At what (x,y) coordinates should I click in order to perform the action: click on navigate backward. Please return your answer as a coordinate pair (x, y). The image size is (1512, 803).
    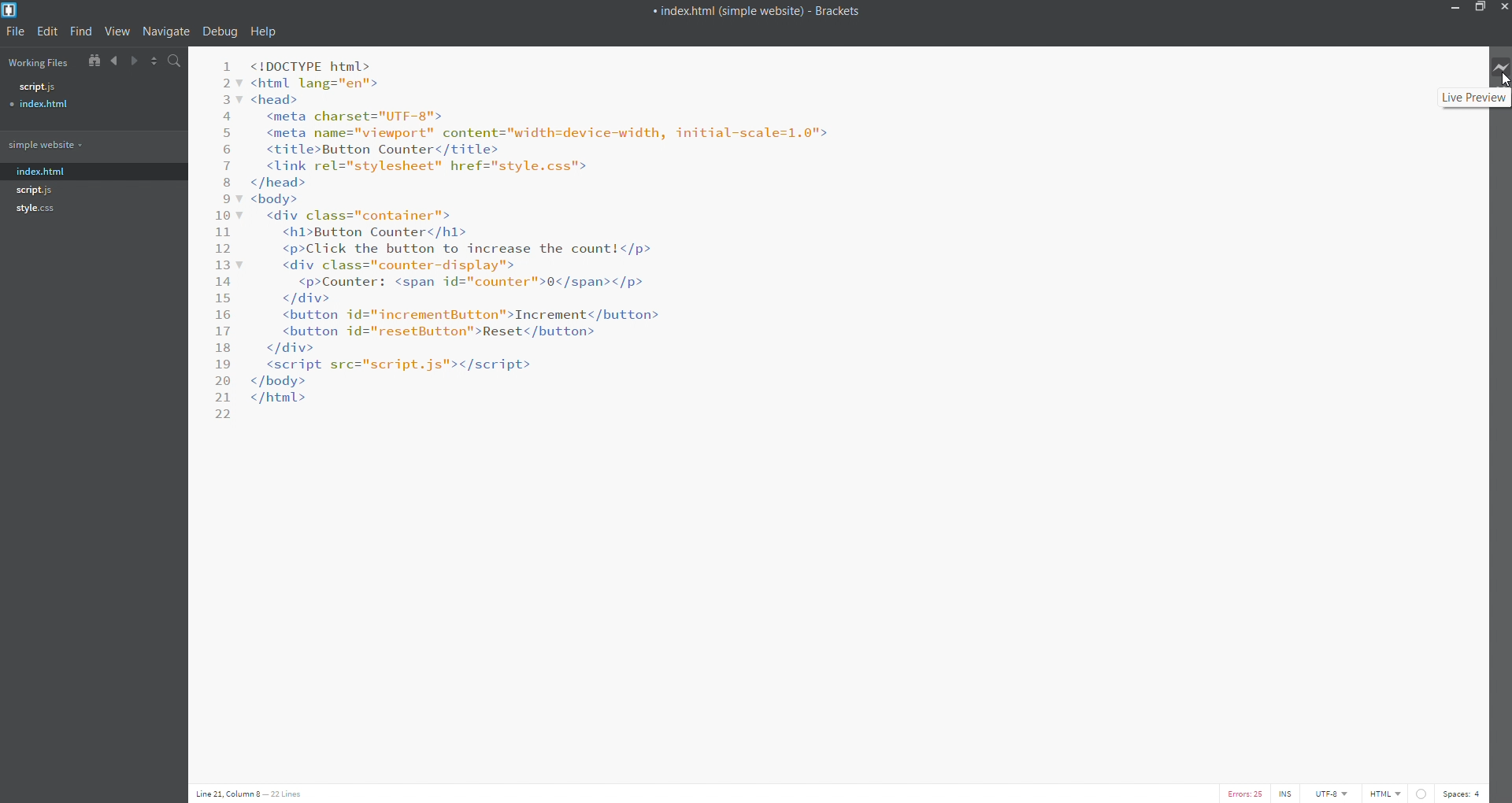
    Looking at the image, I should click on (115, 62).